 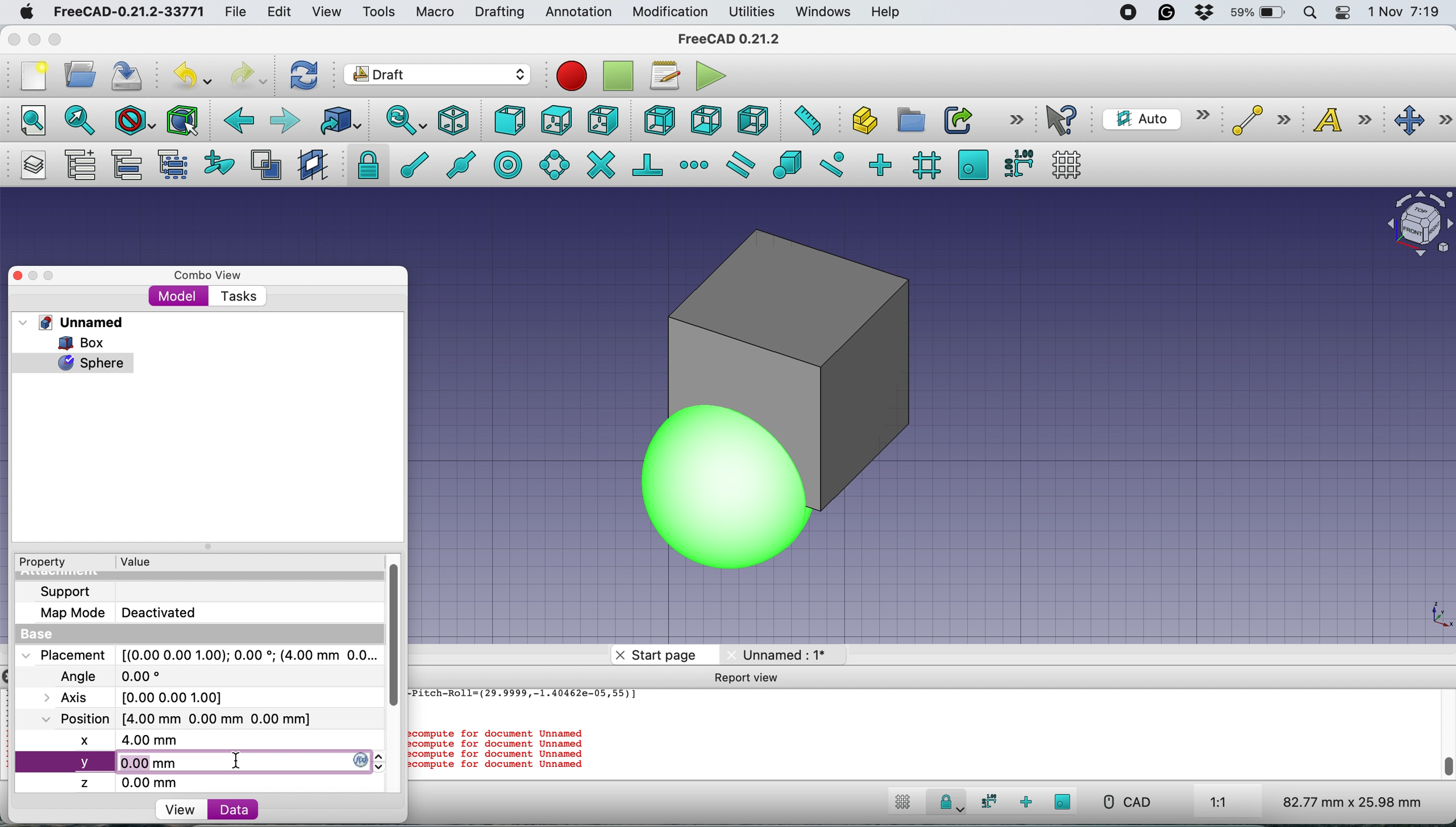 I want to click on macro, so click(x=434, y=12).